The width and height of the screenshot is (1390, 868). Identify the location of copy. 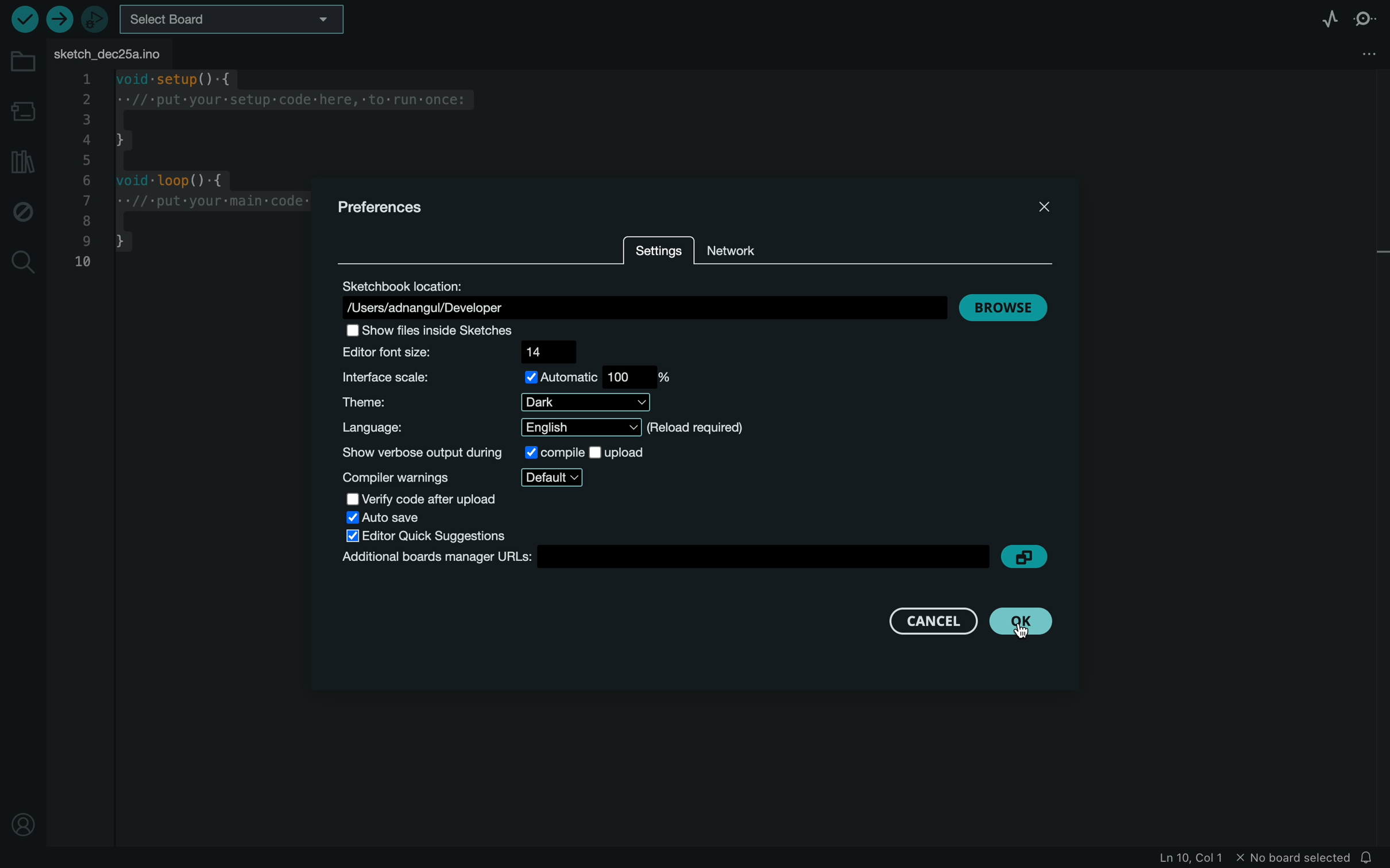
(1024, 556).